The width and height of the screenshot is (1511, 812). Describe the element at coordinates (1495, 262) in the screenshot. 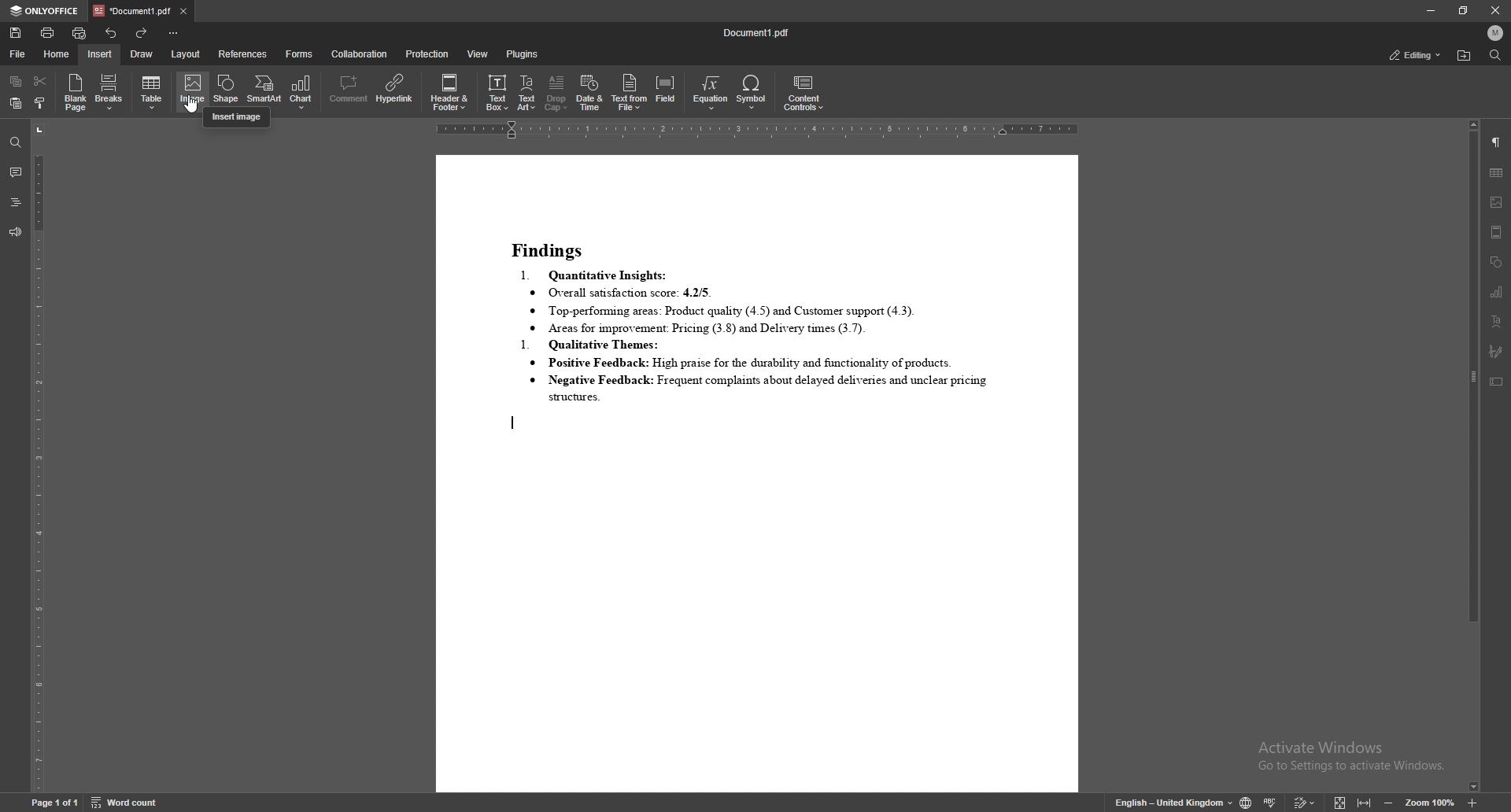

I see `shapes` at that location.